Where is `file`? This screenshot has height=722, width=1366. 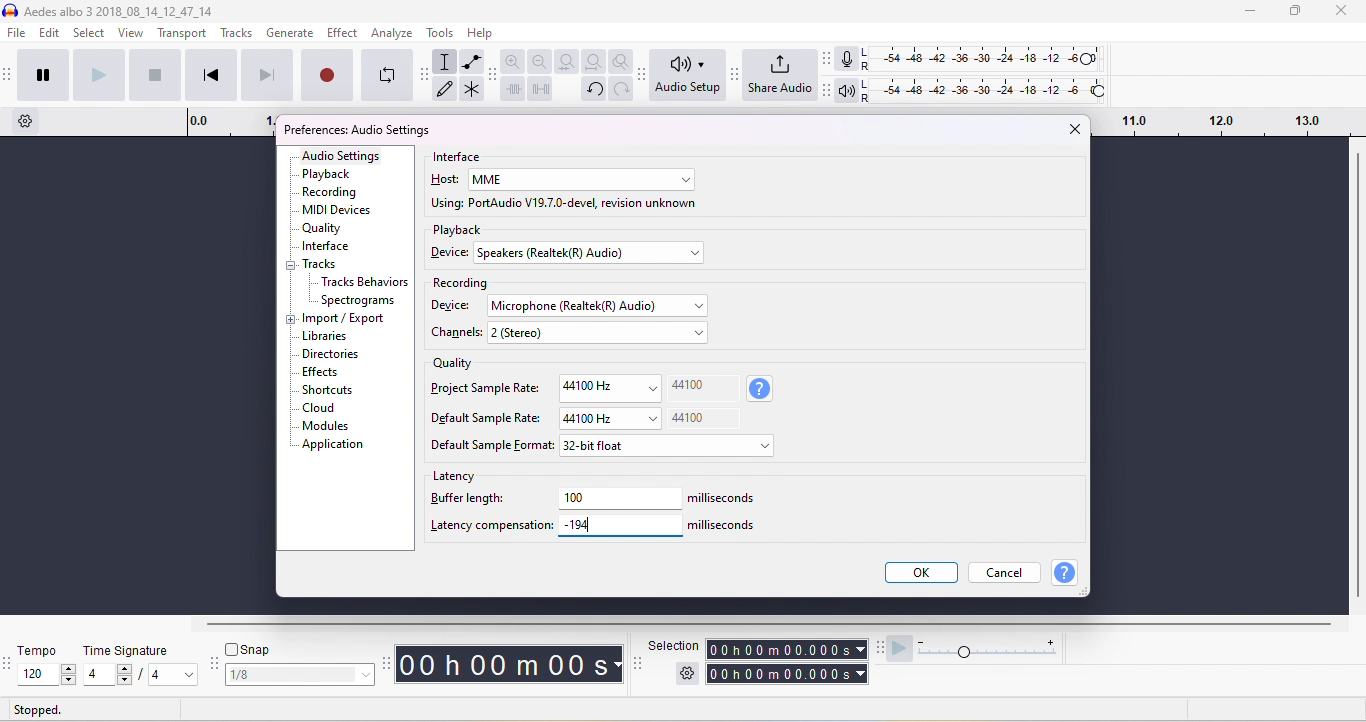 file is located at coordinates (18, 34).